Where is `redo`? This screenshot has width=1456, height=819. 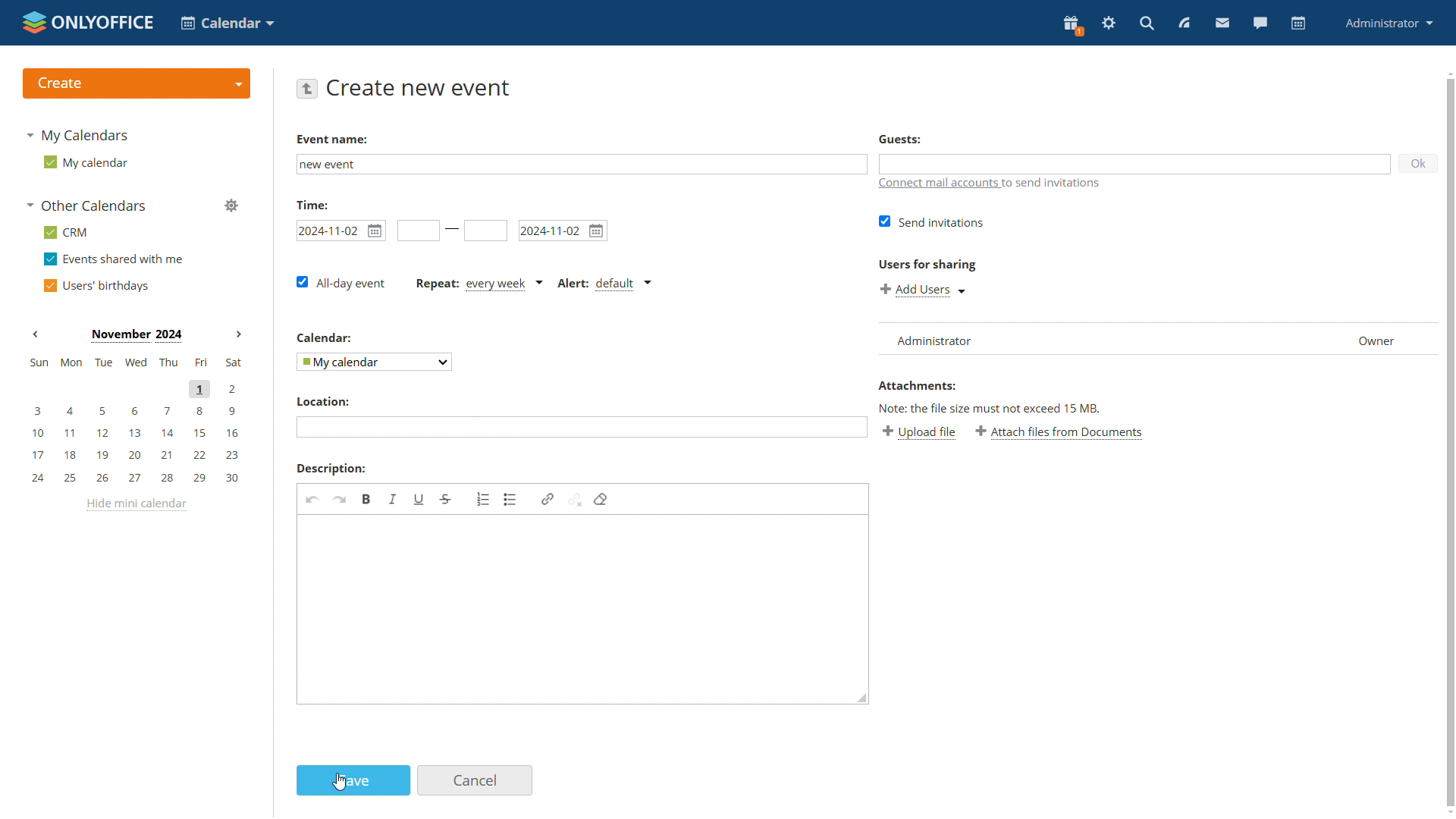 redo is located at coordinates (340, 499).